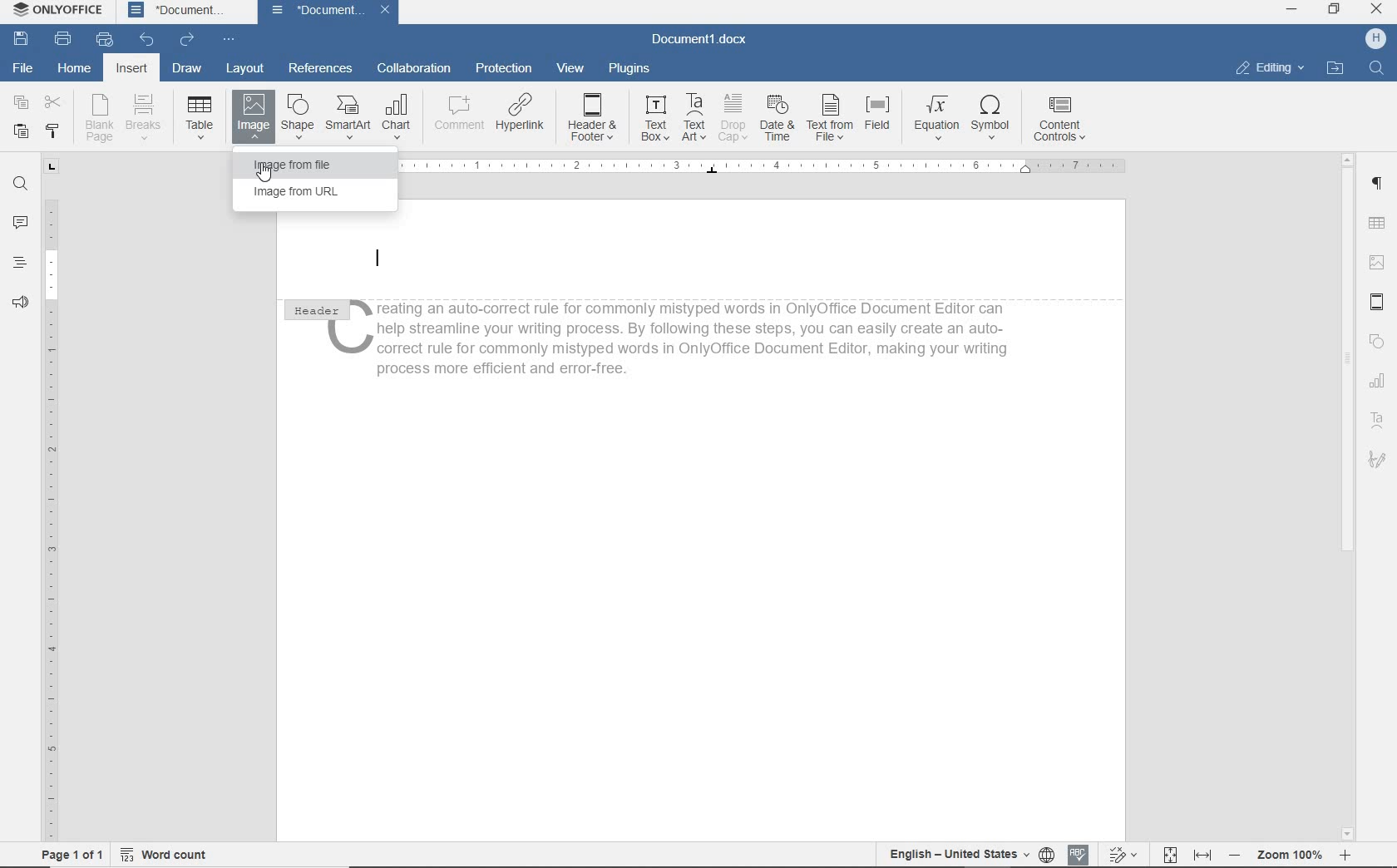  Describe the element at coordinates (188, 40) in the screenshot. I see `REDO` at that location.